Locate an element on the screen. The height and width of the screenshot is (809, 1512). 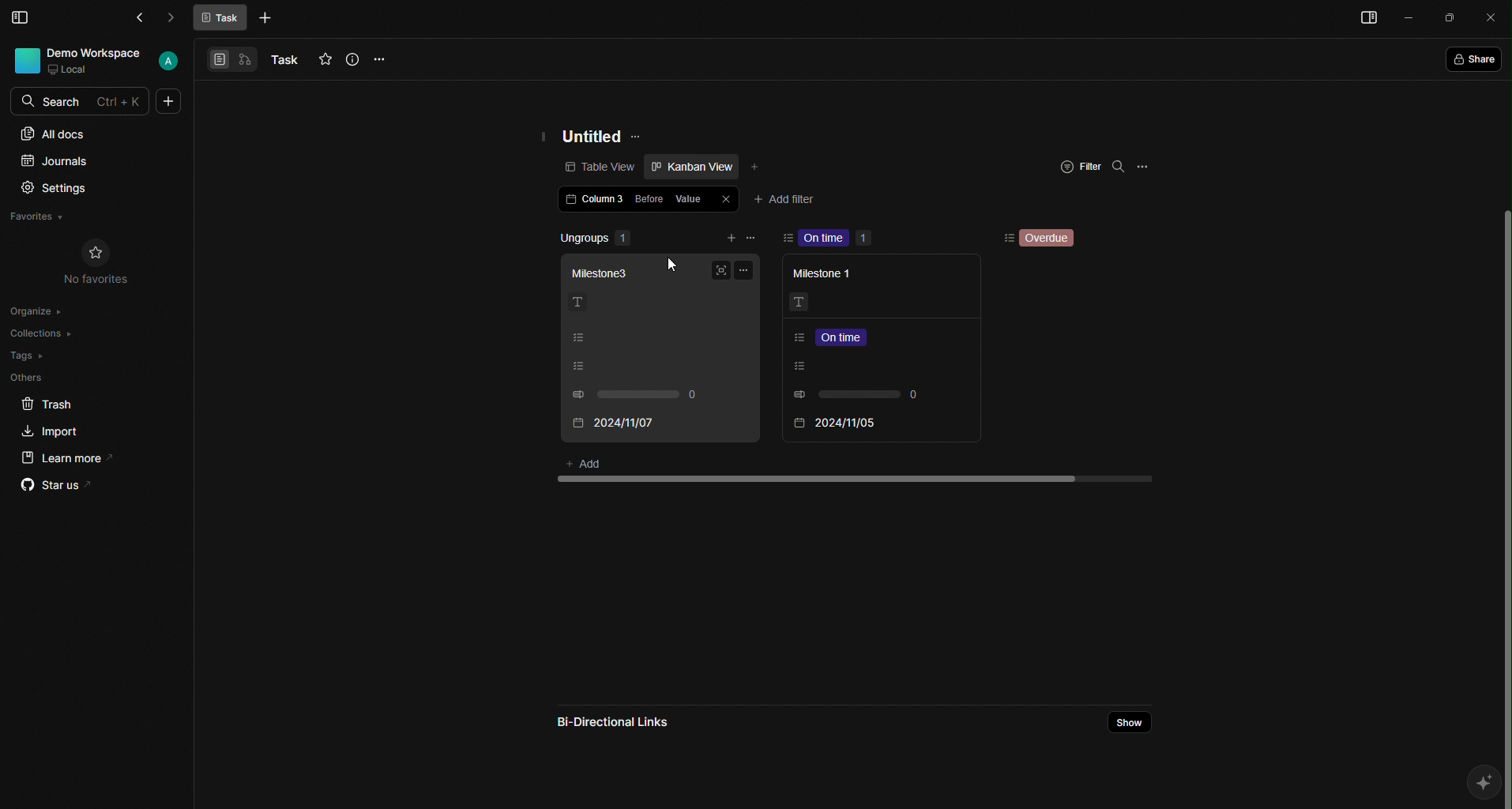
Add filter is located at coordinates (784, 197).